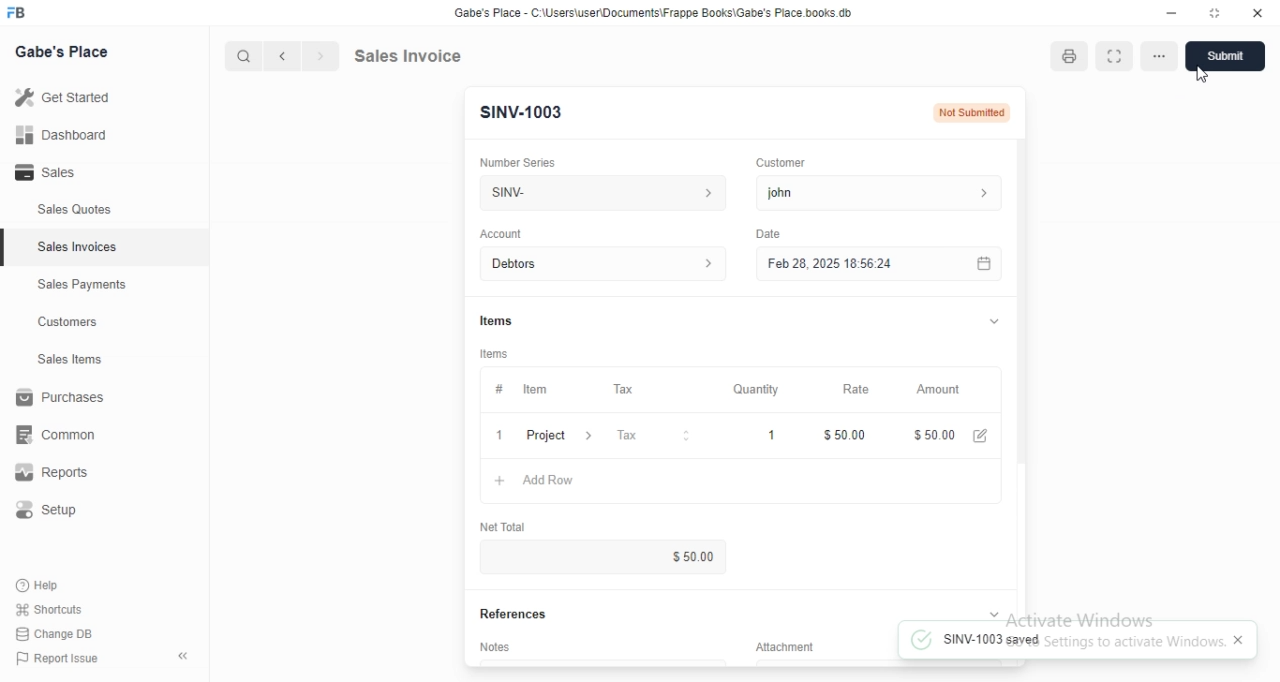 The width and height of the screenshot is (1280, 682). Describe the element at coordinates (876, 193) in the screenshot. I see `john` at that location.